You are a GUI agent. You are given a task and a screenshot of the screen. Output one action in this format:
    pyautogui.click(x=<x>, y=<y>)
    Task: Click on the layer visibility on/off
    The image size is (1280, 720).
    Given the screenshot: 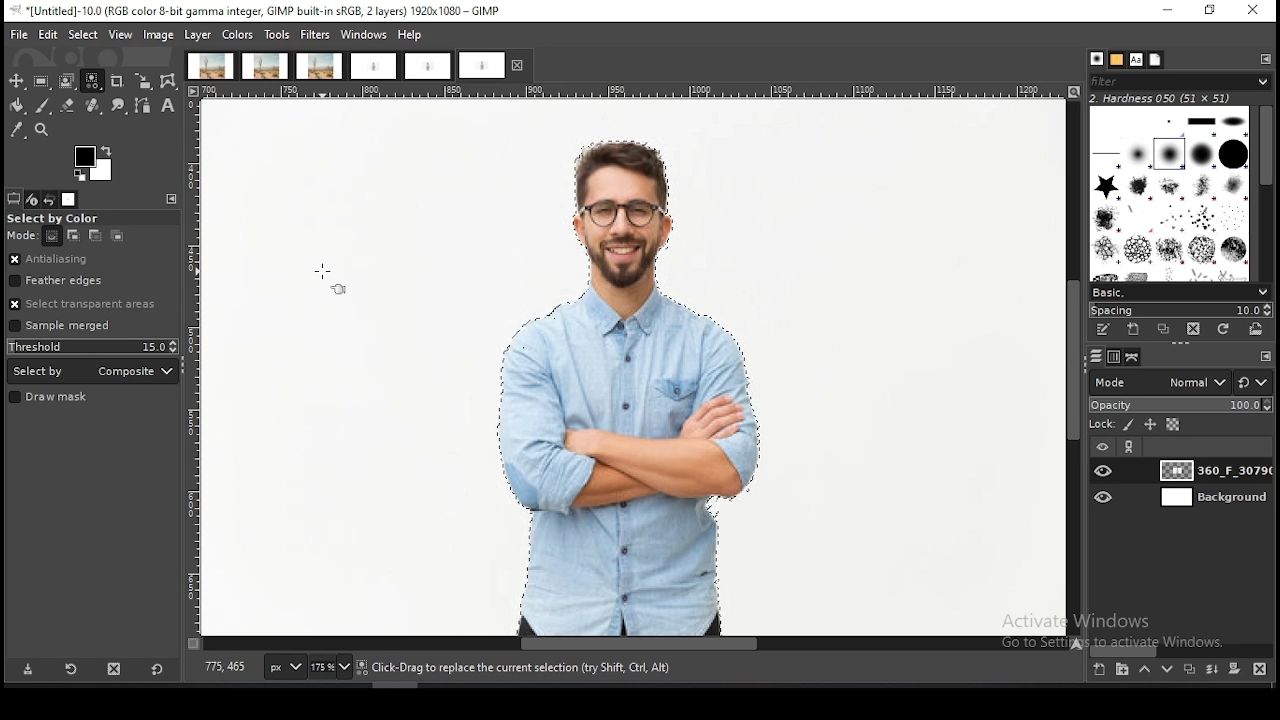 What is the action you would take?
    pyautogui.click(x=1105, y=498)
    